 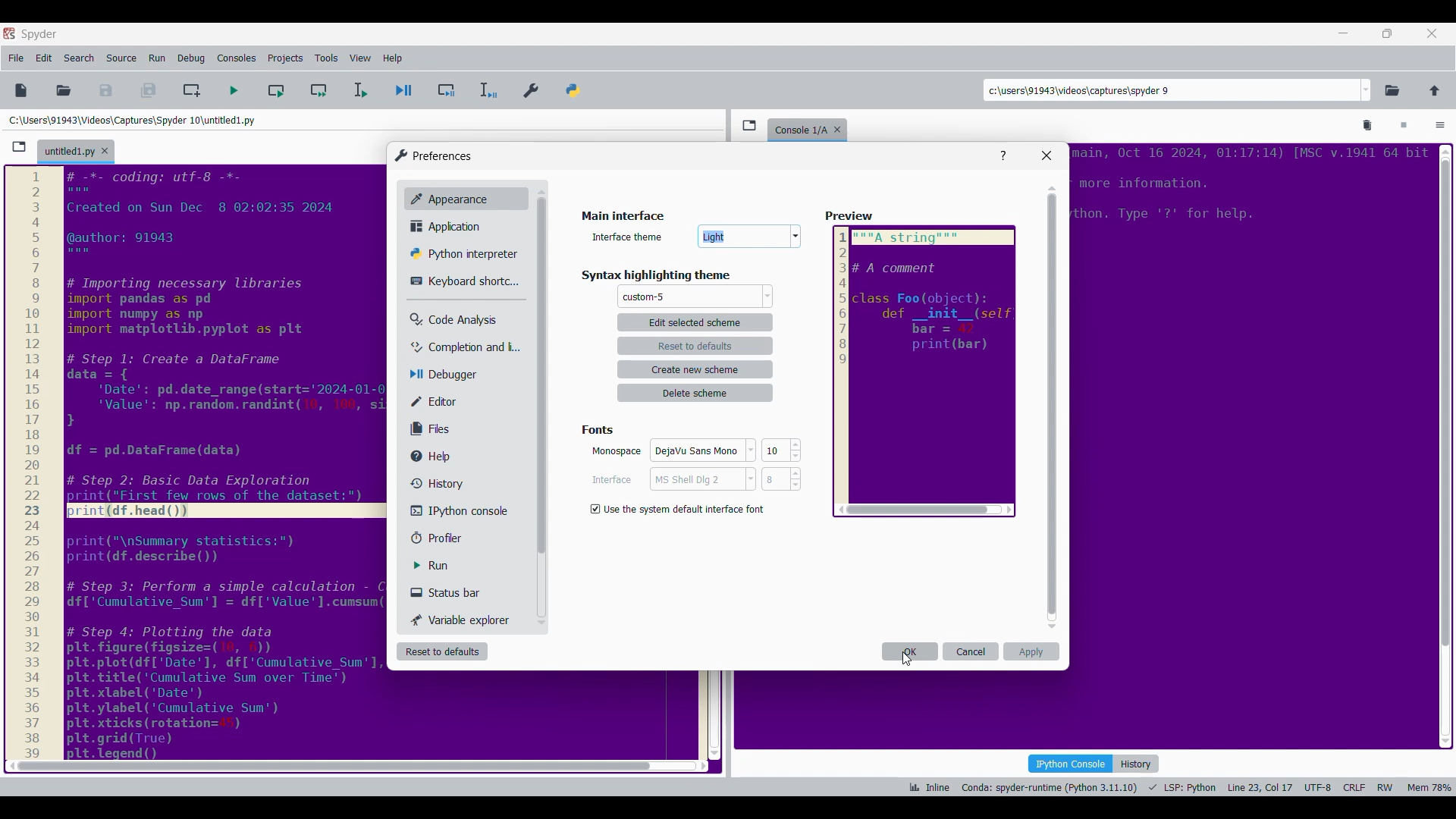 I want to click on Show in smaller tab, so click(x=1387, y=33).